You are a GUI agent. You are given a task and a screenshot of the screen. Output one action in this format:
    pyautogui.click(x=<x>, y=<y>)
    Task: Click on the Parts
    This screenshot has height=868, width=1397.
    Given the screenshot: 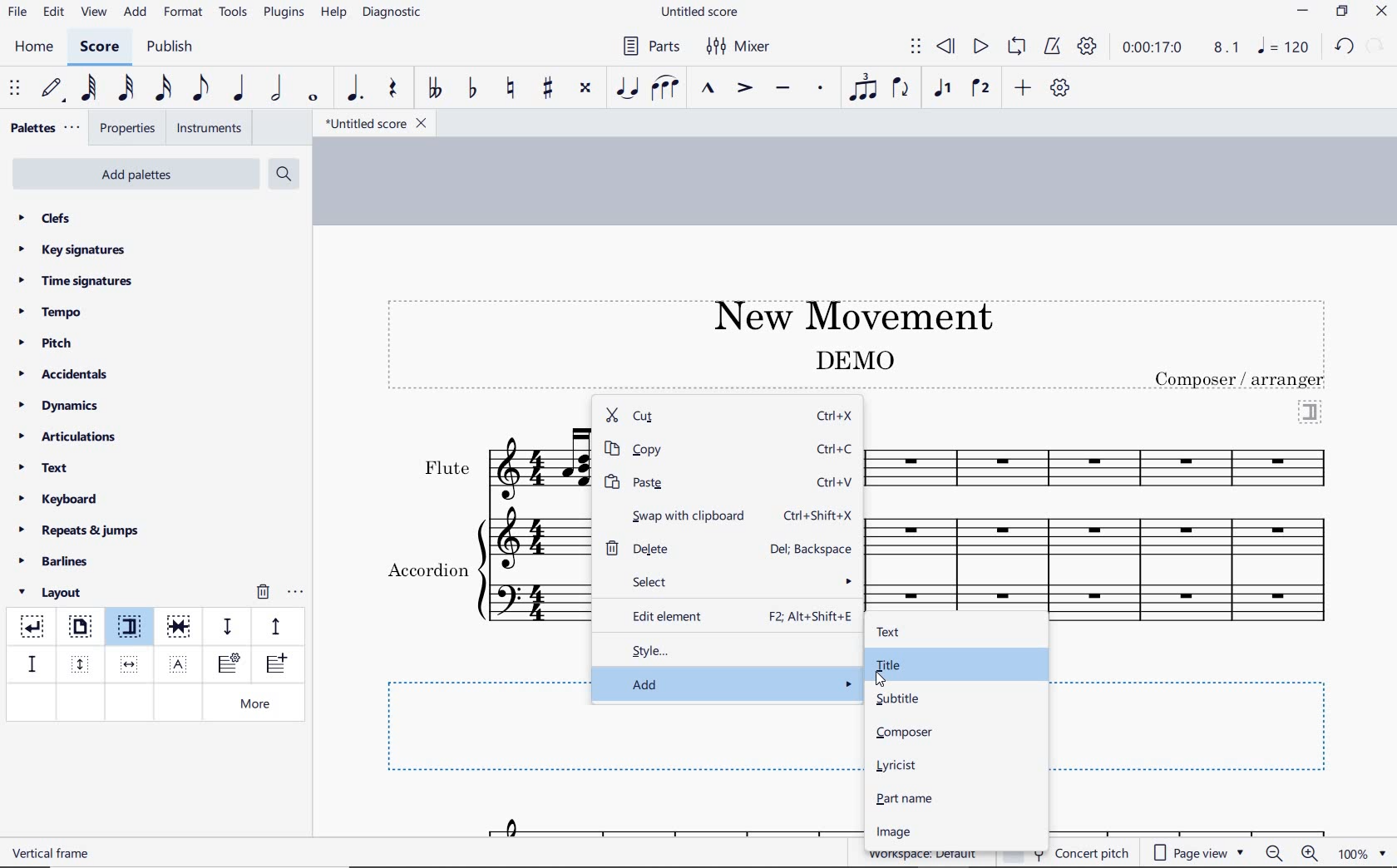 What is the action you would take?
    pyautogui.click(x=648, y=47)
    